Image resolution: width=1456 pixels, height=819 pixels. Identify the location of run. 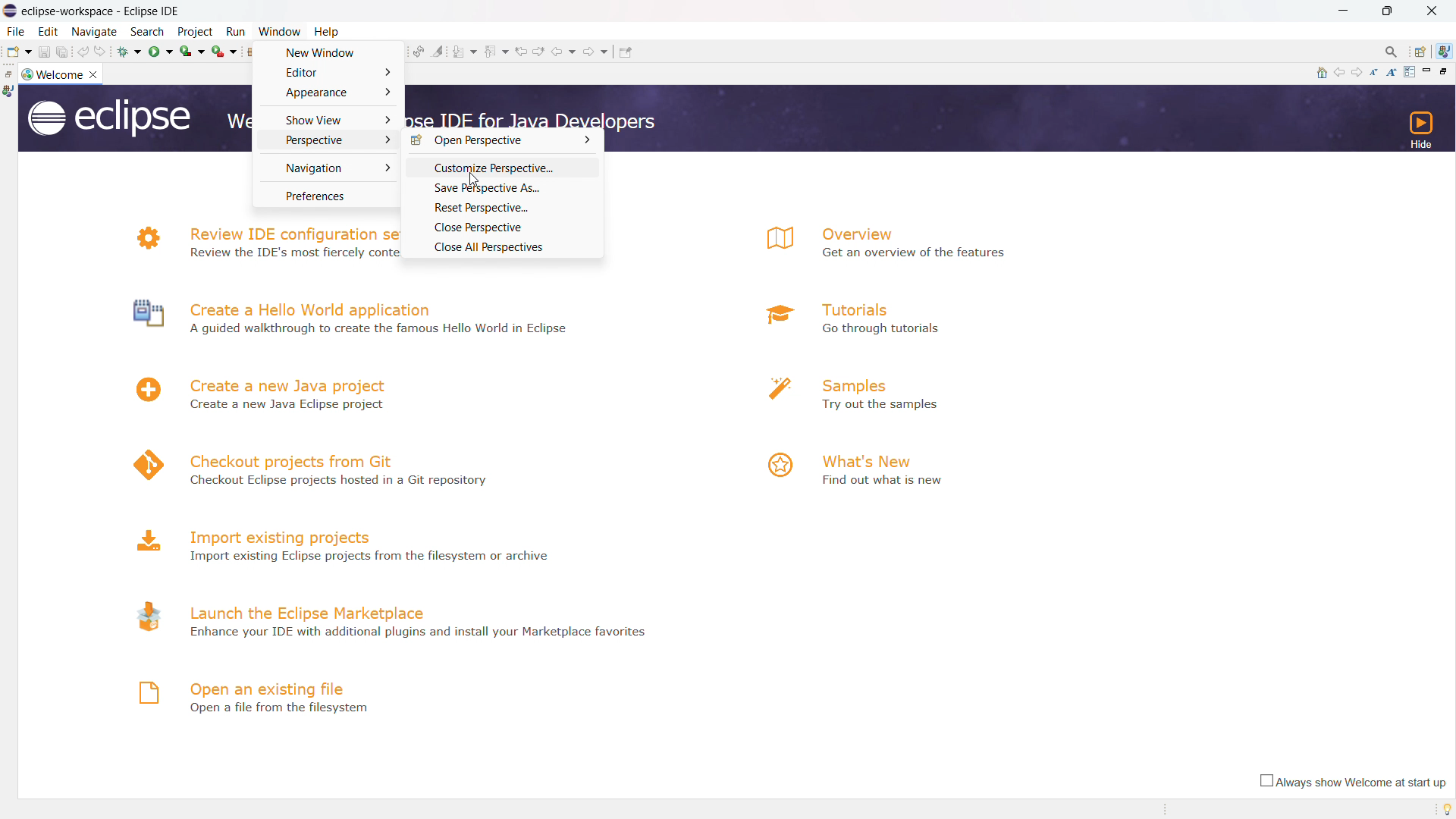
(234, 32).